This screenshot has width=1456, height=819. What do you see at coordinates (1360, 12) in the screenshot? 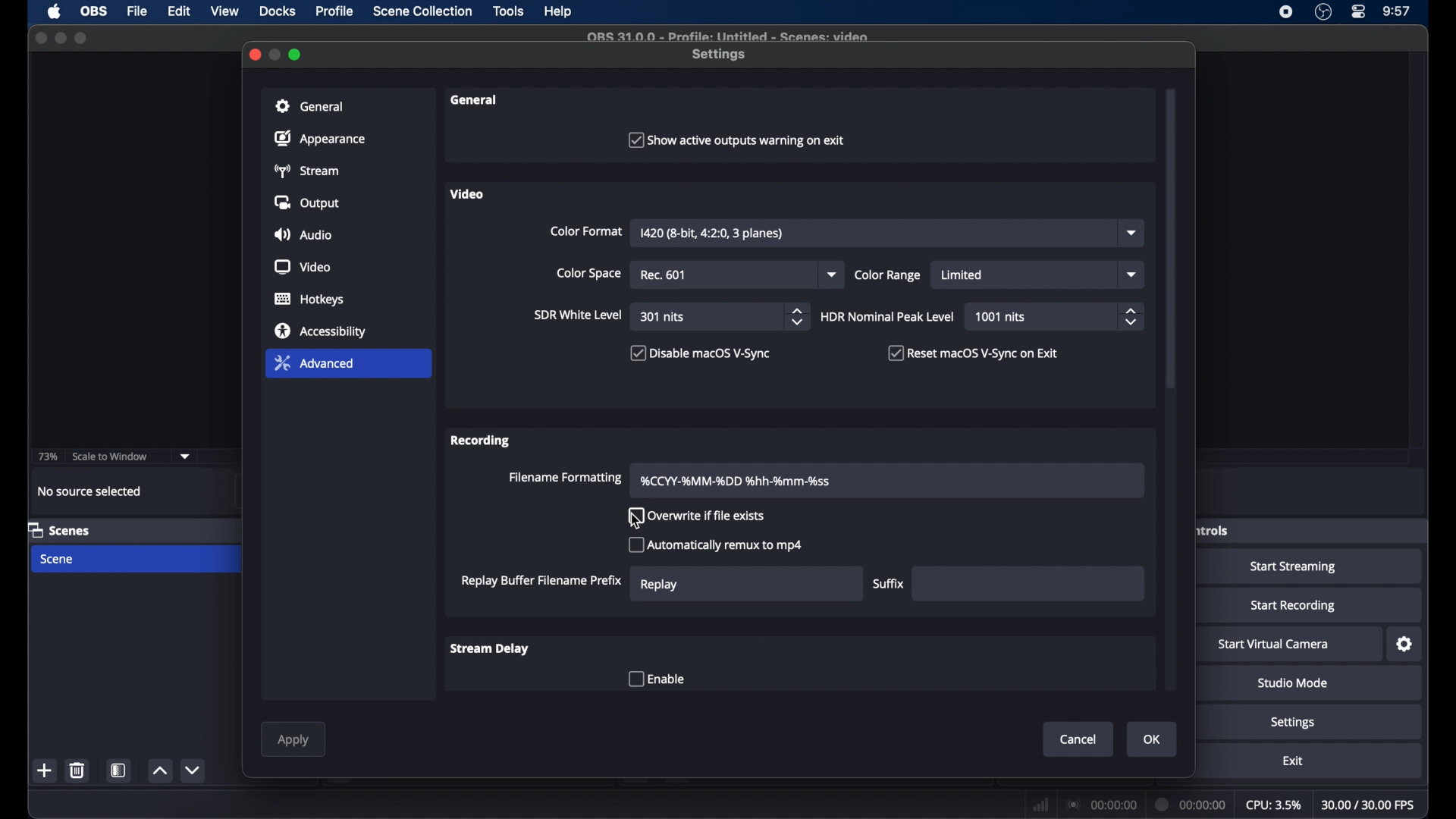
I see `control center` at bounding box center [1360, 12].